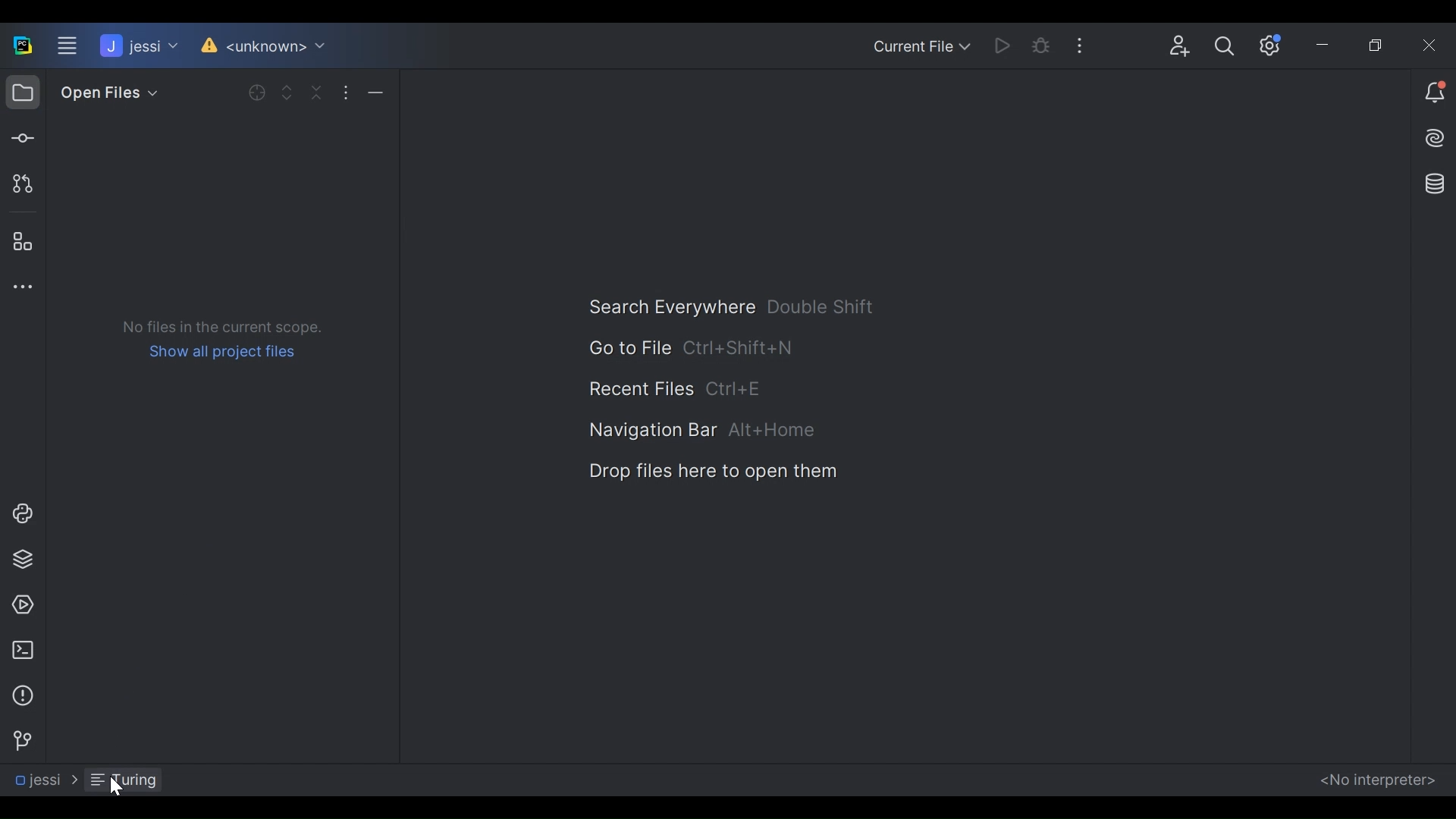 This screenshot has height=819, width=1456. What do you see at coordinates (22, 91) in the screenshot?
I see `Project View` at bounding box center [22, 91].